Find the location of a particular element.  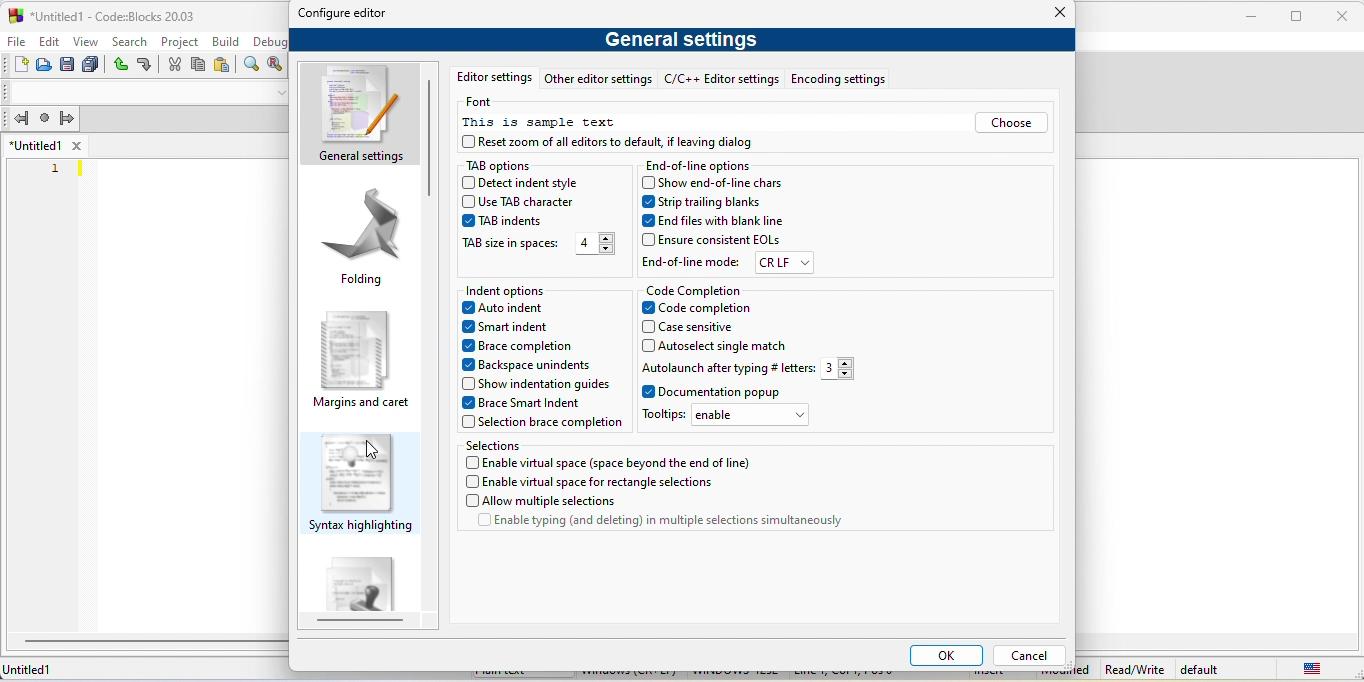

enable typing is located at coordinates (662, 520).